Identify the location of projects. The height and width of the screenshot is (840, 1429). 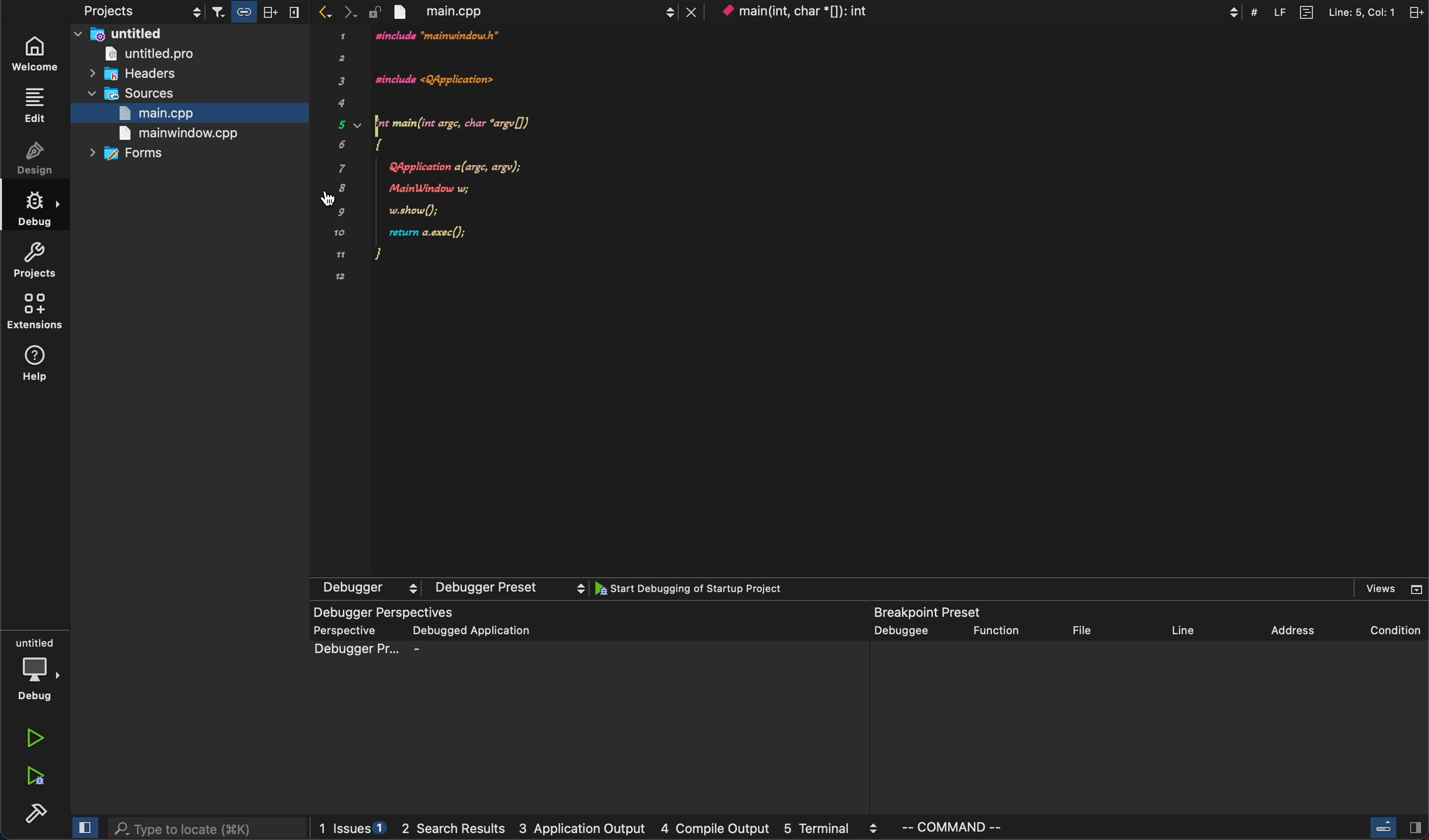
(39, 258).